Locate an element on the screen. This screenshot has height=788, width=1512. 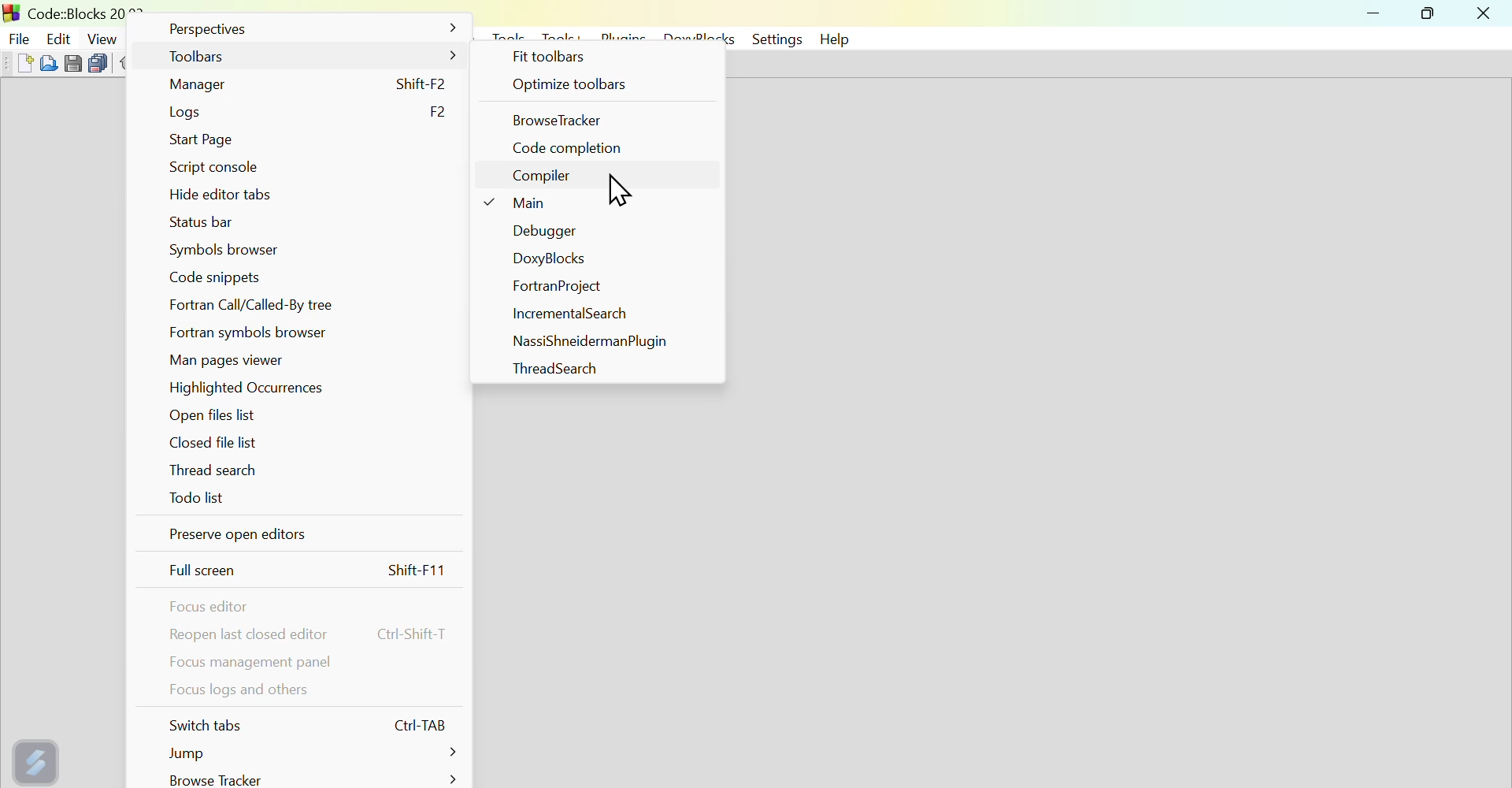
Compiler is located at coordinates (543, 179).